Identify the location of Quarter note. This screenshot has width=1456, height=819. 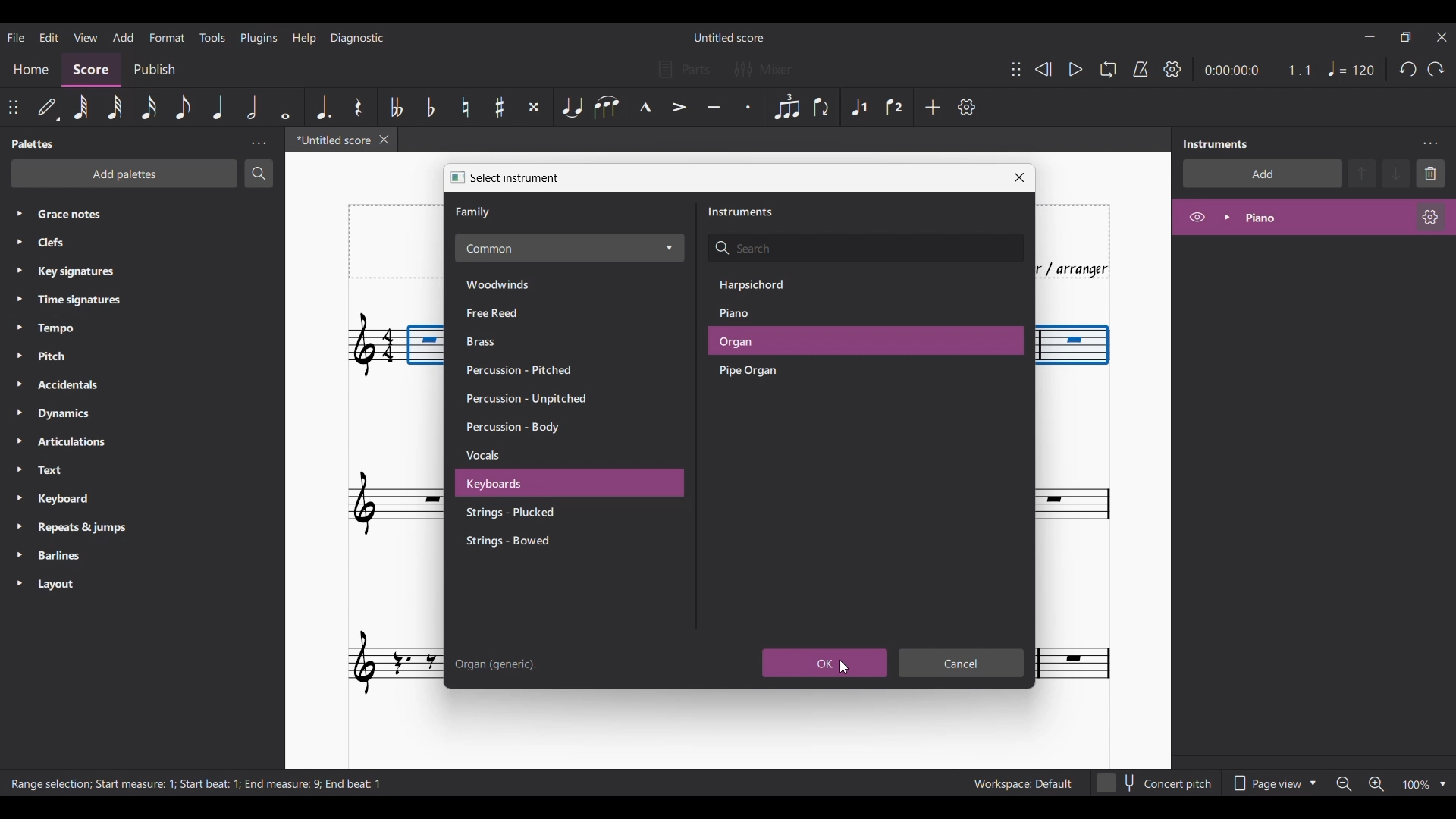
(218, 107).